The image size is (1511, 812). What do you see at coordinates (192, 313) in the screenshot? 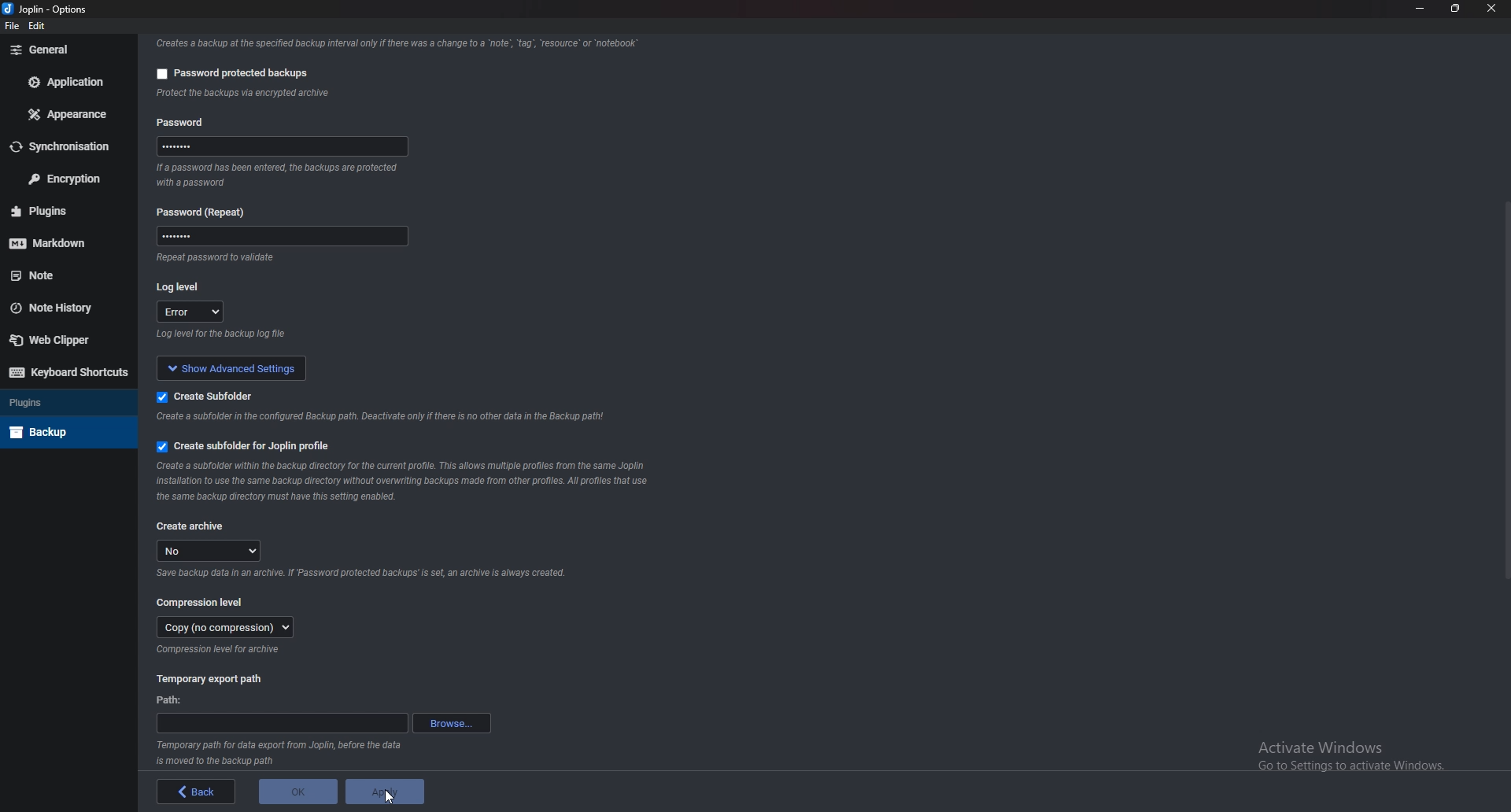
I see `error` at bounding box center [192, 313].